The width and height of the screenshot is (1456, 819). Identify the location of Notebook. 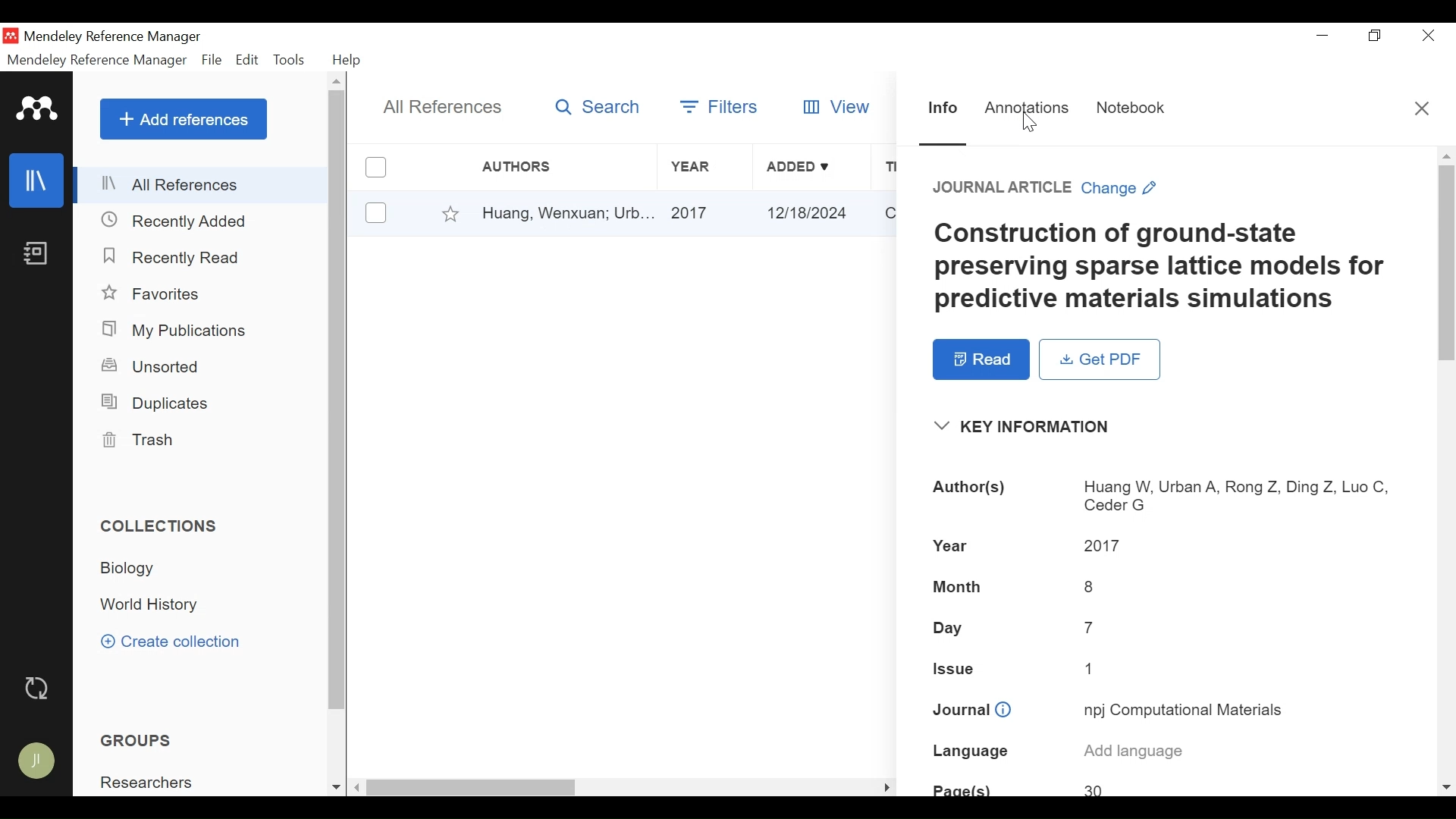
(1131, 108).